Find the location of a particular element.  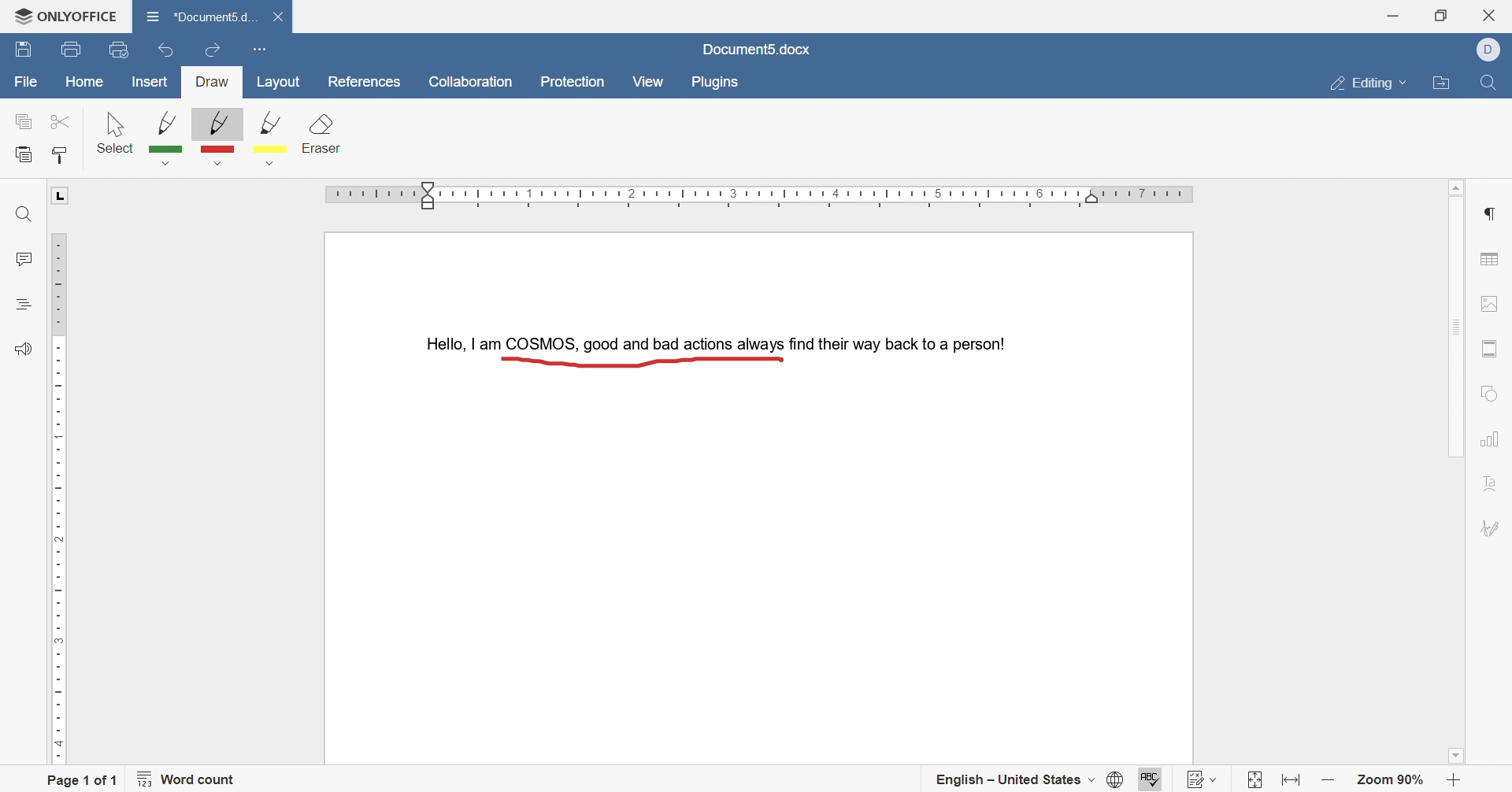

feedback and support is located at coordinates (22, 350).